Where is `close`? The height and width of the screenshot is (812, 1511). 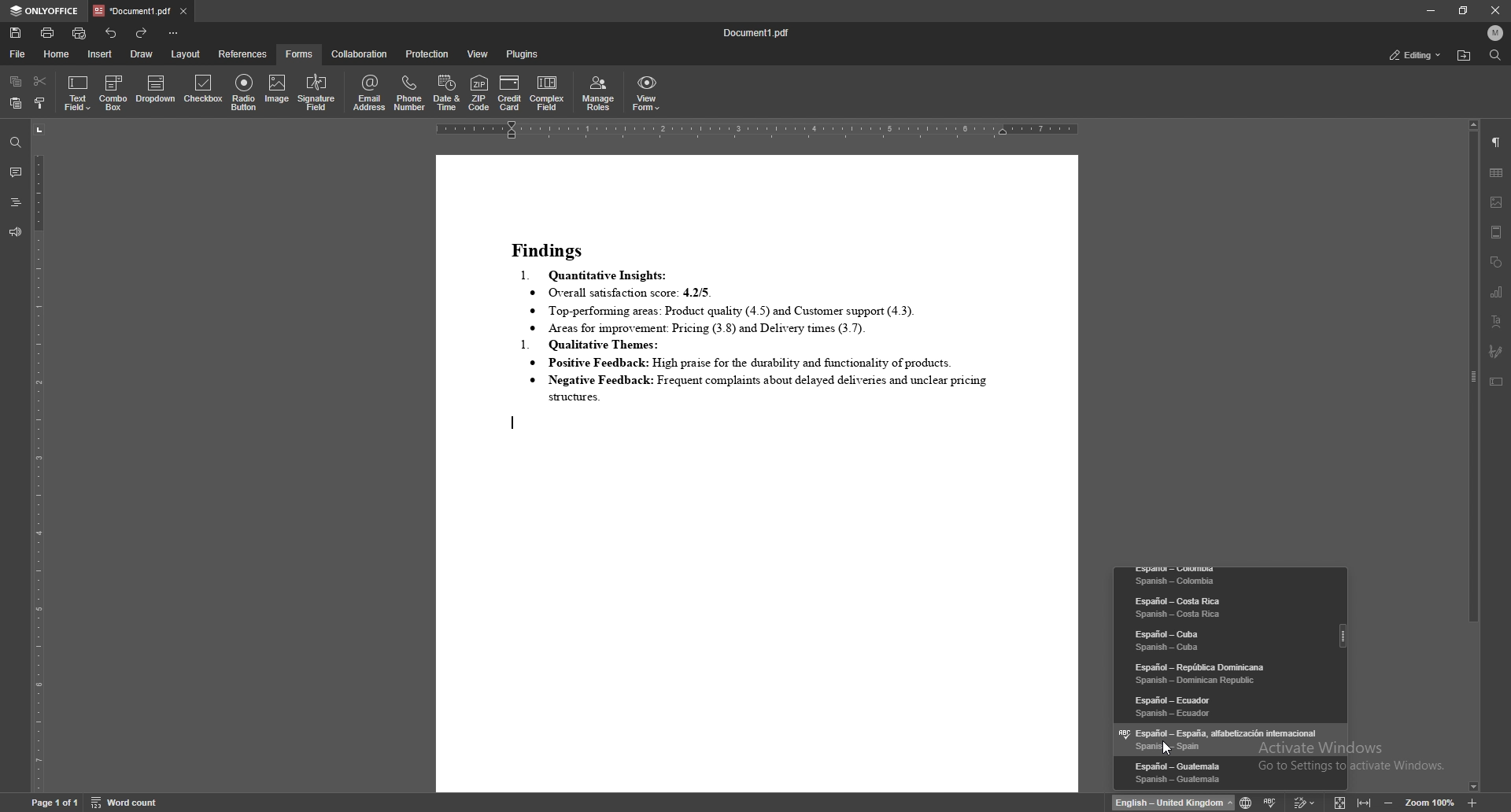
close is located at coordinates (1493, 10).